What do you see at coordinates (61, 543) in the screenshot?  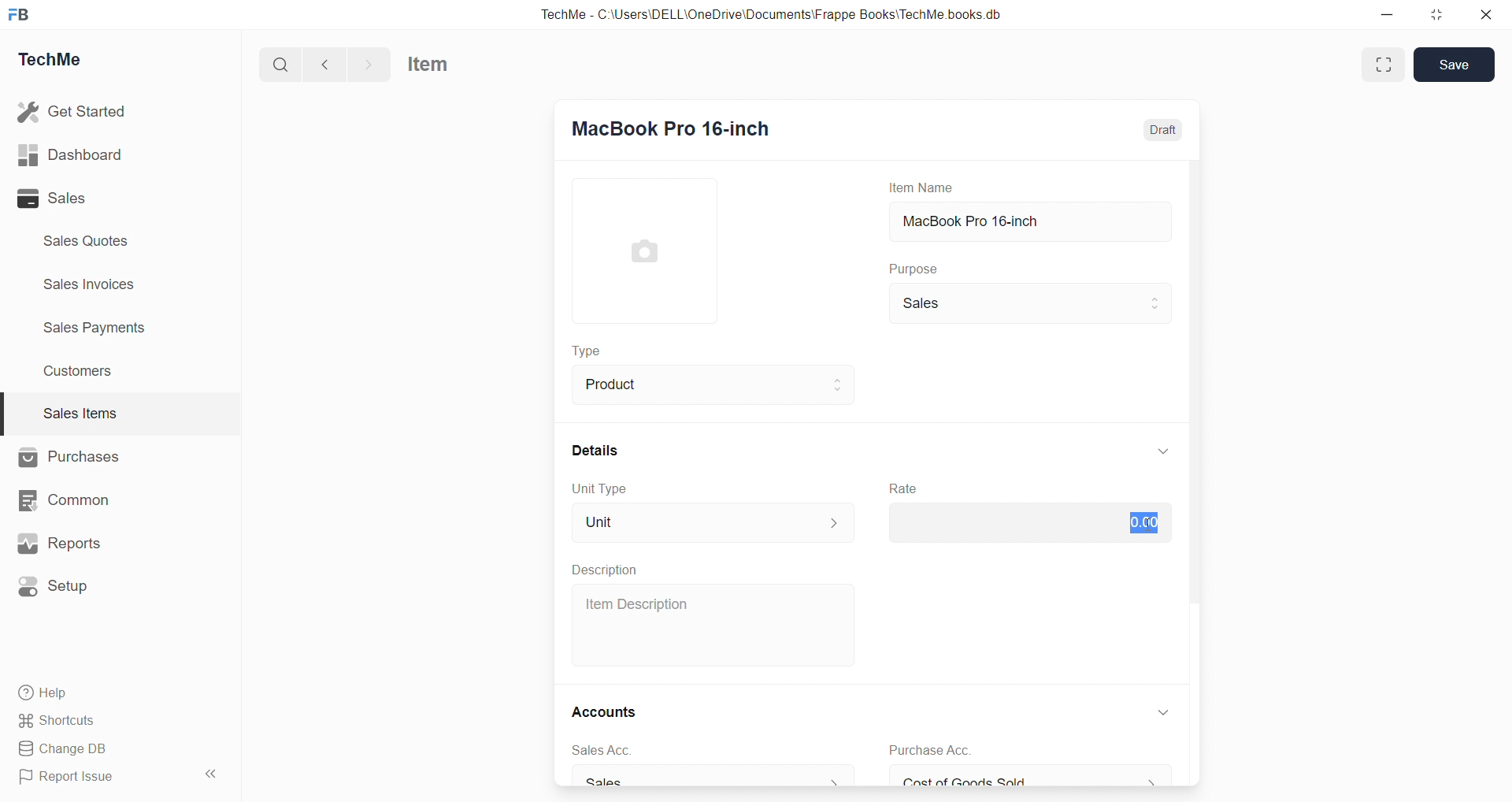 I see `Reports` at bounding box center [61, 543].